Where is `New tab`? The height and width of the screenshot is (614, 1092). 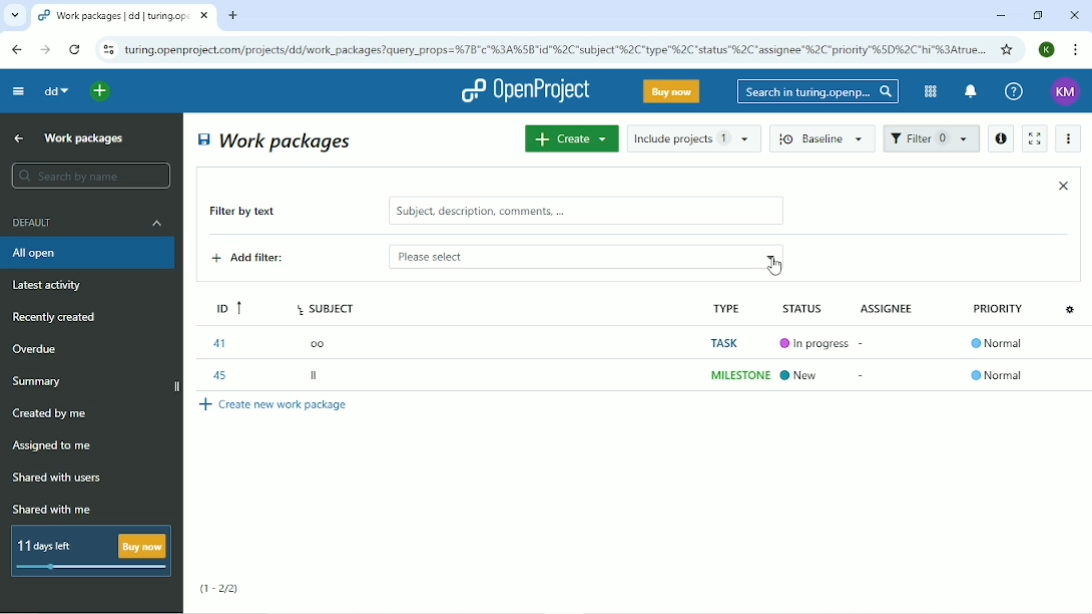
New tab is located at coordinates (233, 16).